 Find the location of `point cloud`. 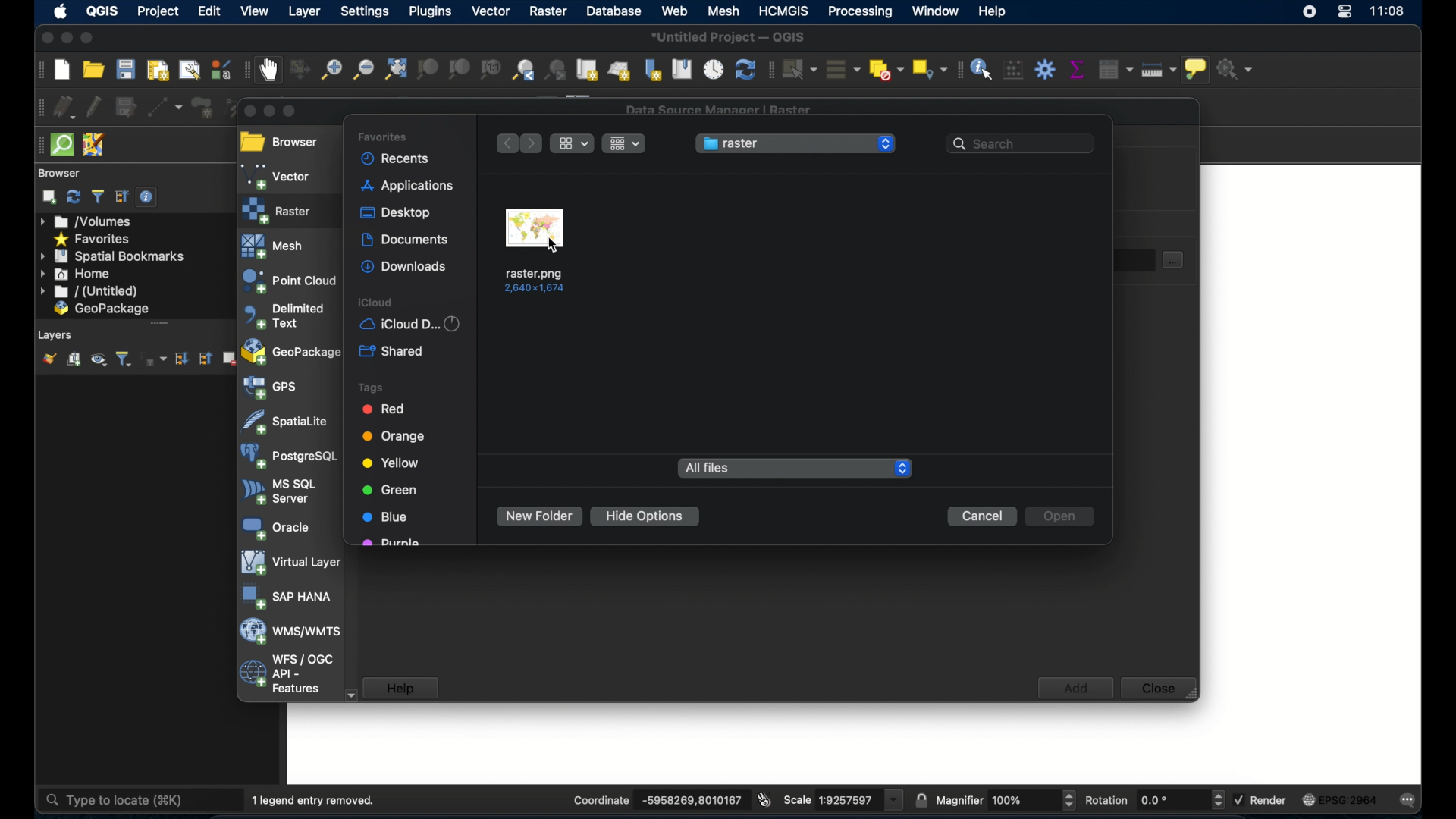

point cloud is located at coordinates (288, 281).